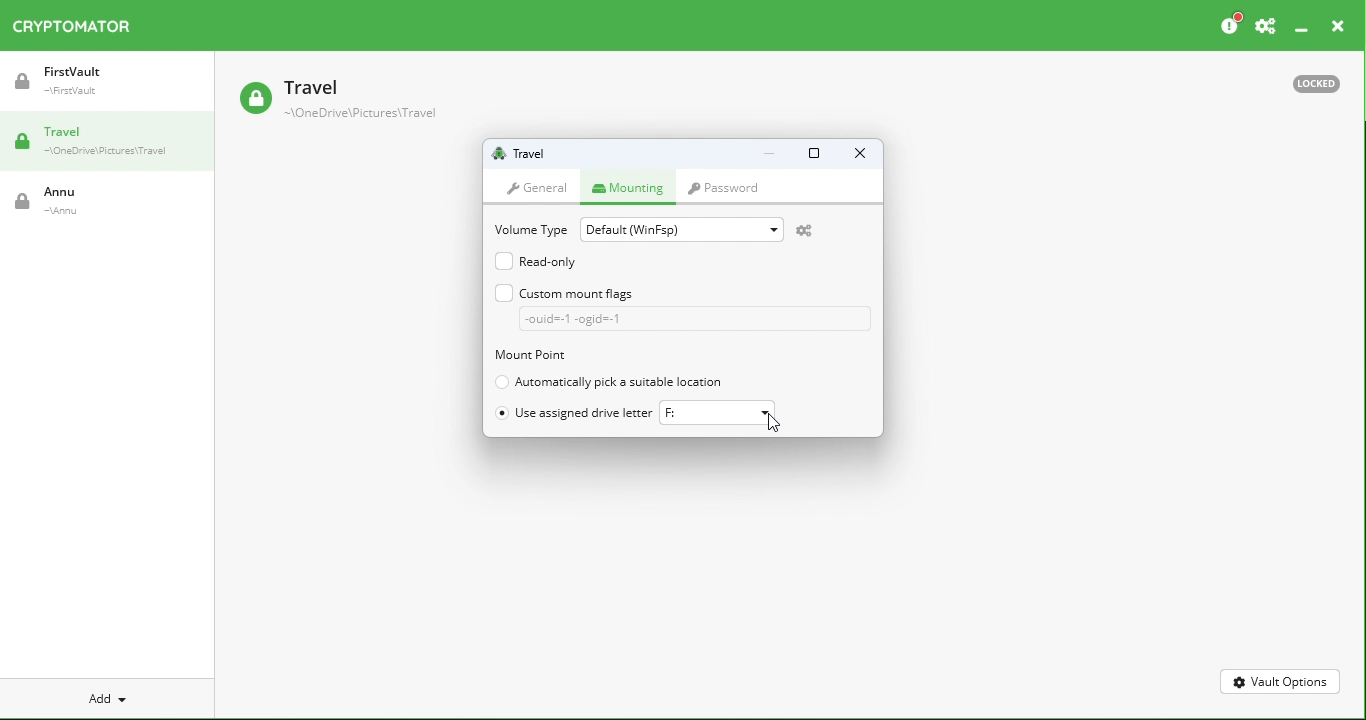  I want to click on Password, so click(729, 188).